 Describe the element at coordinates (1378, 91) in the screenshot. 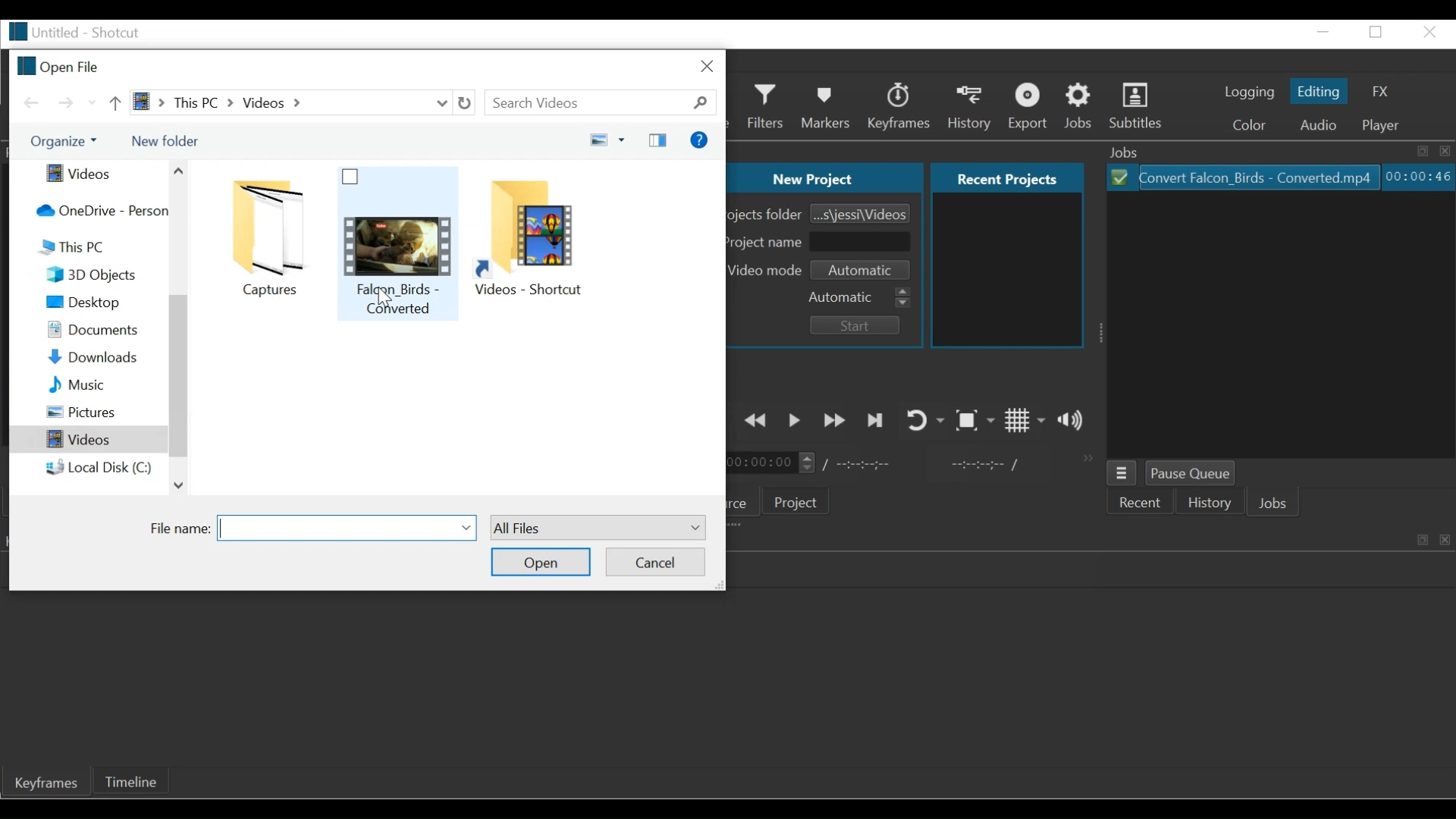

I see `FX` at that location.